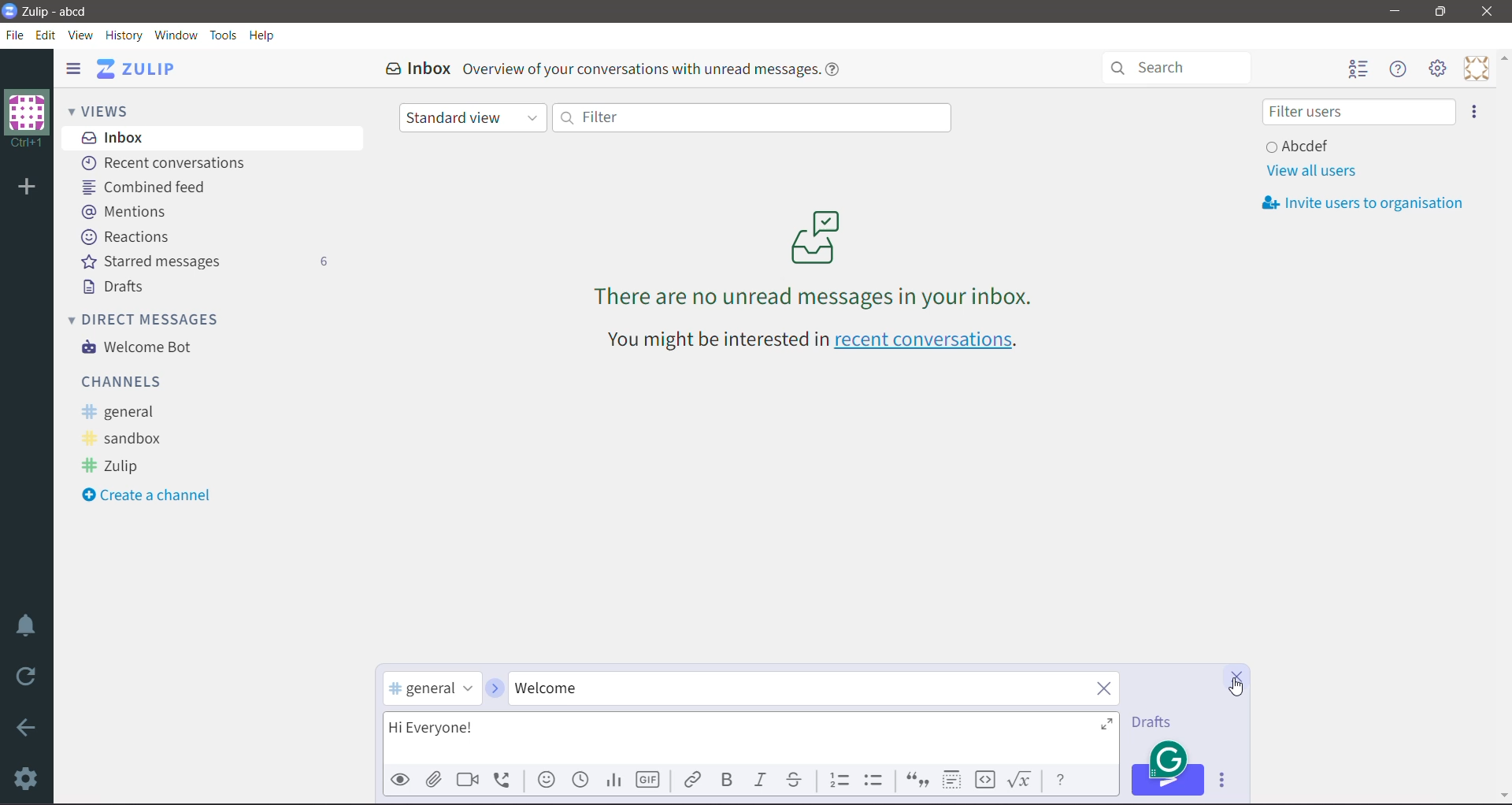 This screenshot has height=805, width=1512. Describe the element at coordinates (153, 496) in the screenshot. I see `Create a Channel` at that location.